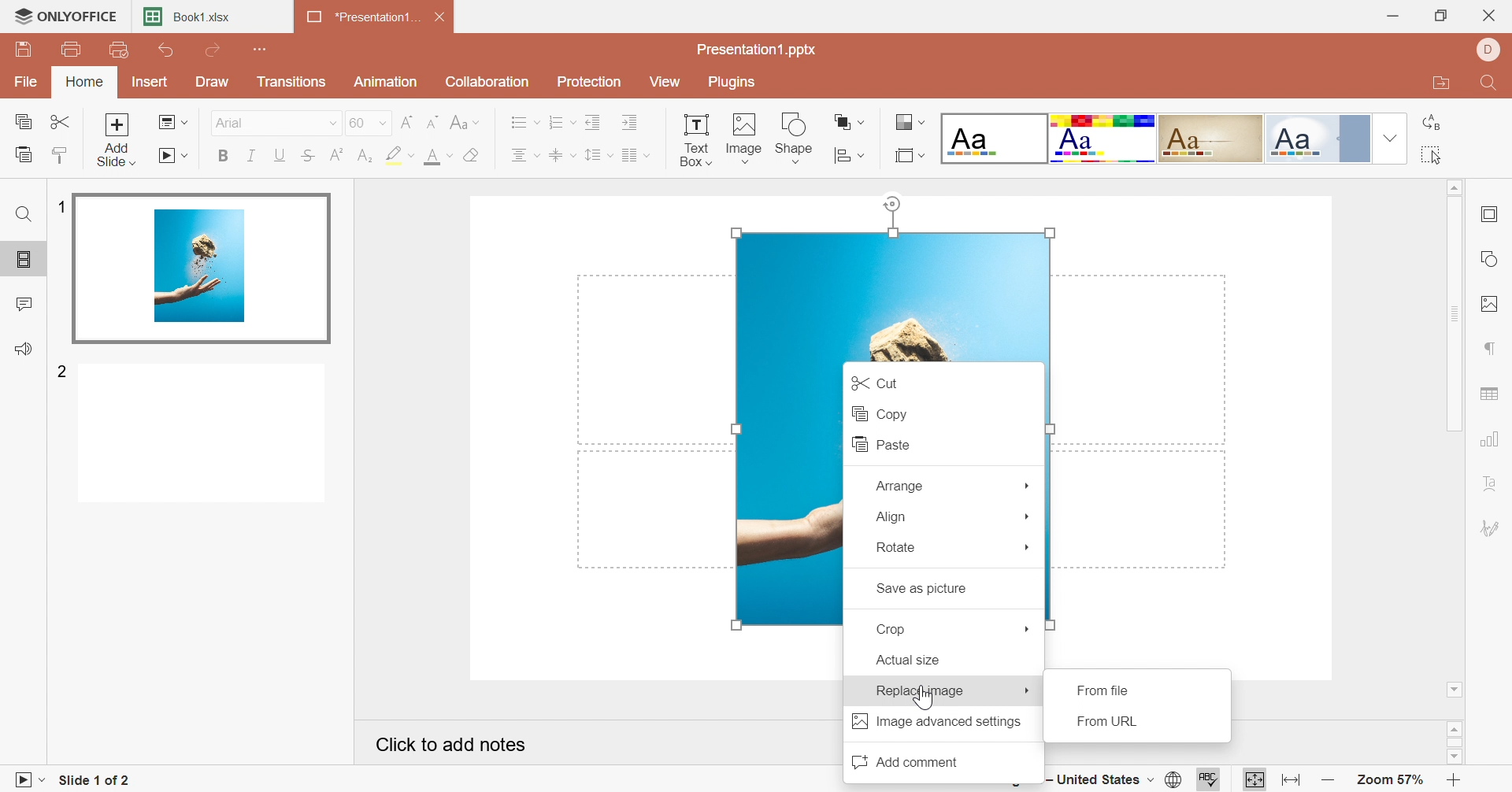  I want to click on Add comment, so click(903, 760).